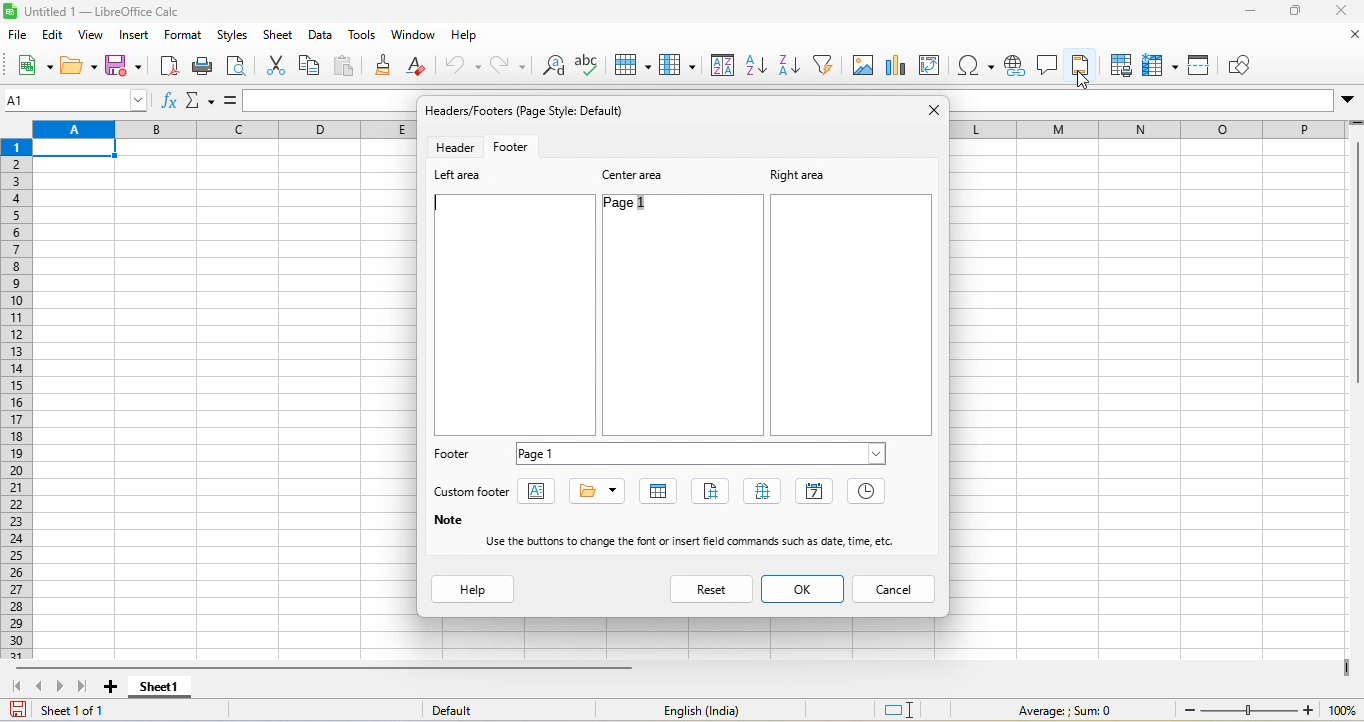  Describe the element at coordinates (866, 64) in the screenshot. I see `image` at that location.